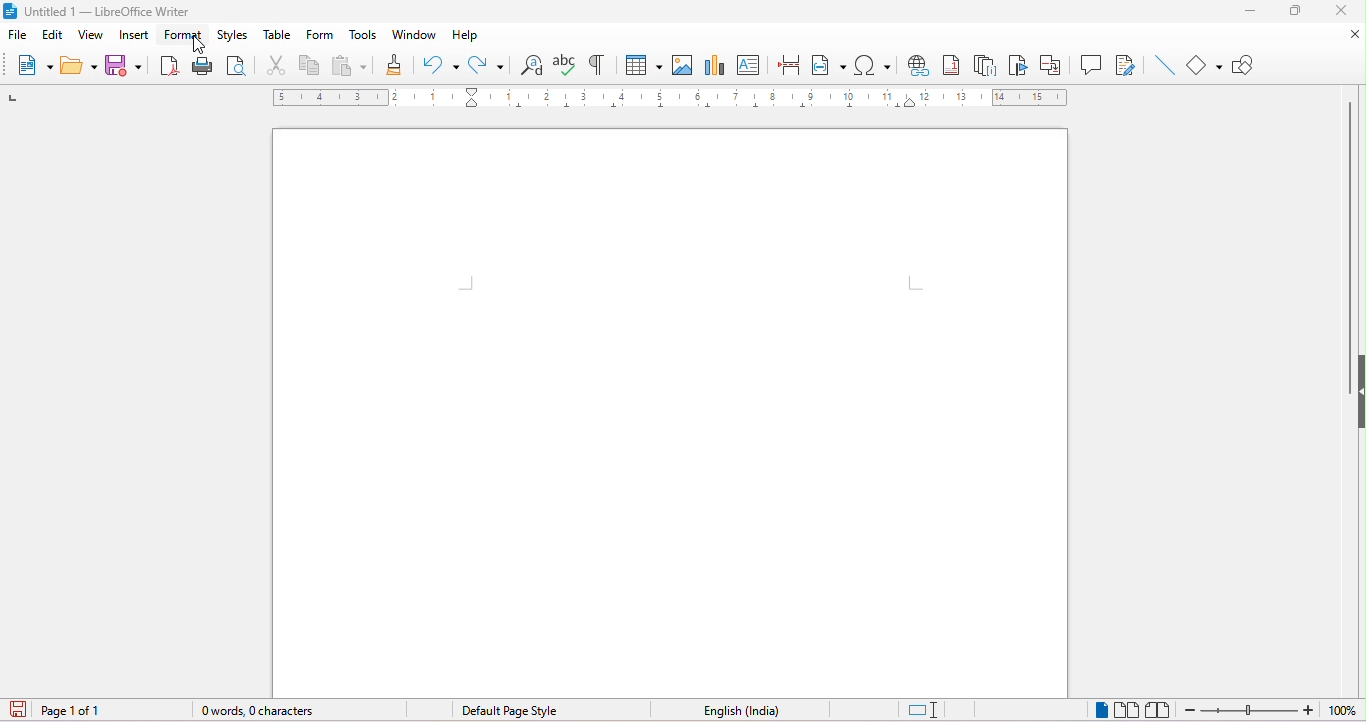 This screenshot has width=1366, height=722. Describe the element at coordinates (362, 37) in the screenshot. I see `tools` at that location.